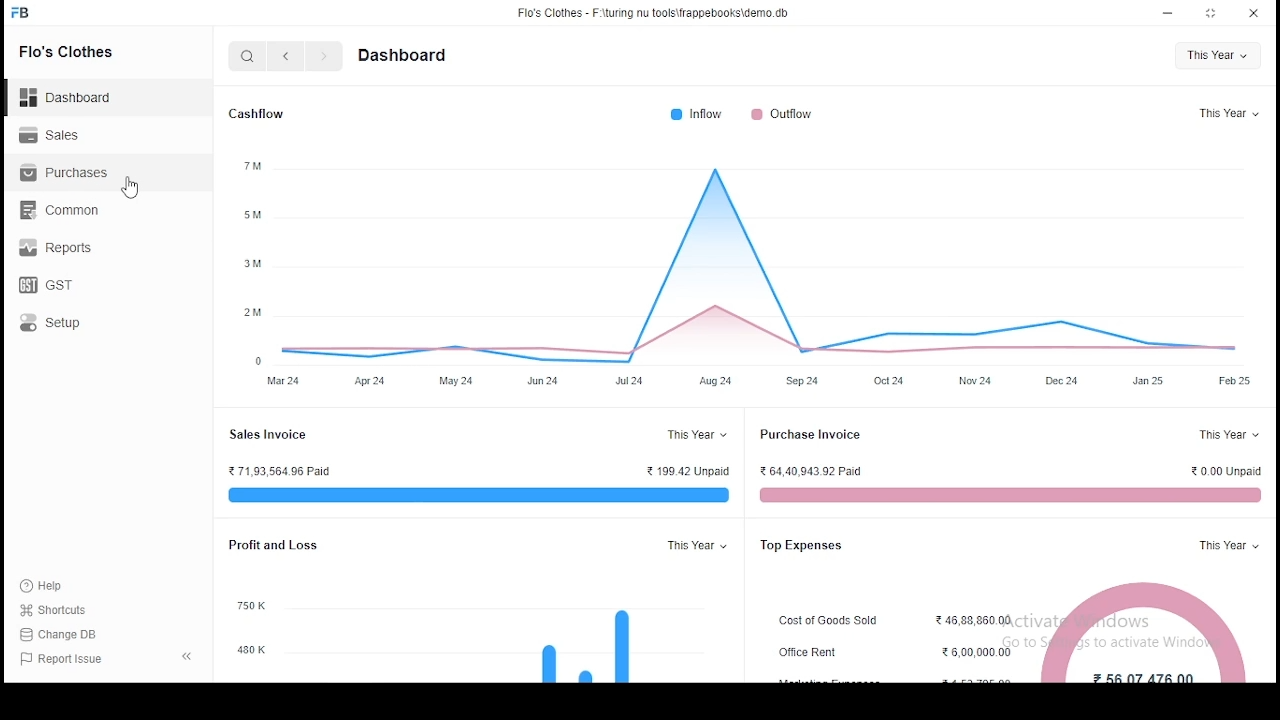  What do you see at coordinates (815, 652) in the screenshot?
I see `office rent` at bounding box center [815, 652].